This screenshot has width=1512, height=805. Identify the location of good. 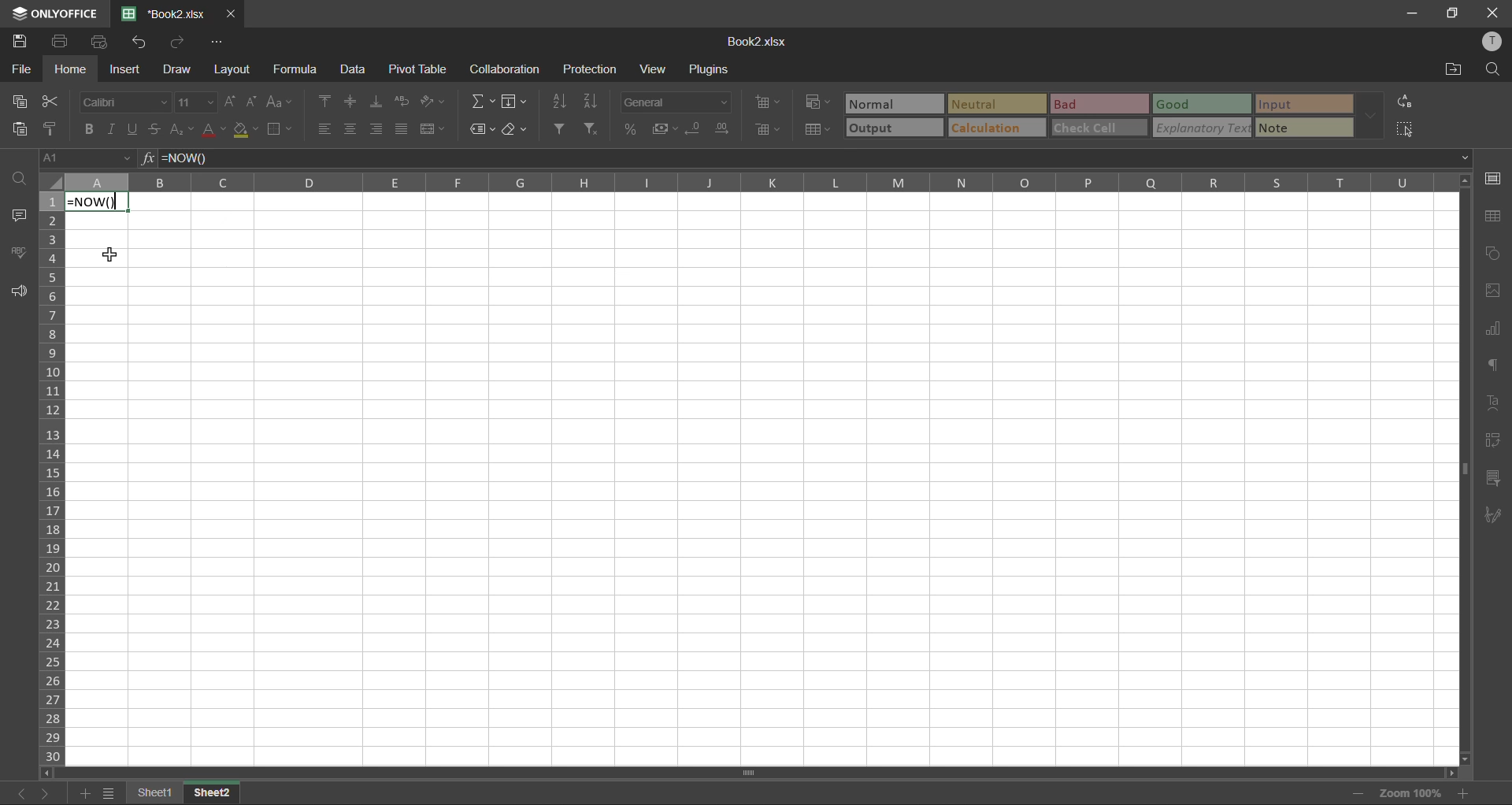
(1203, 105).